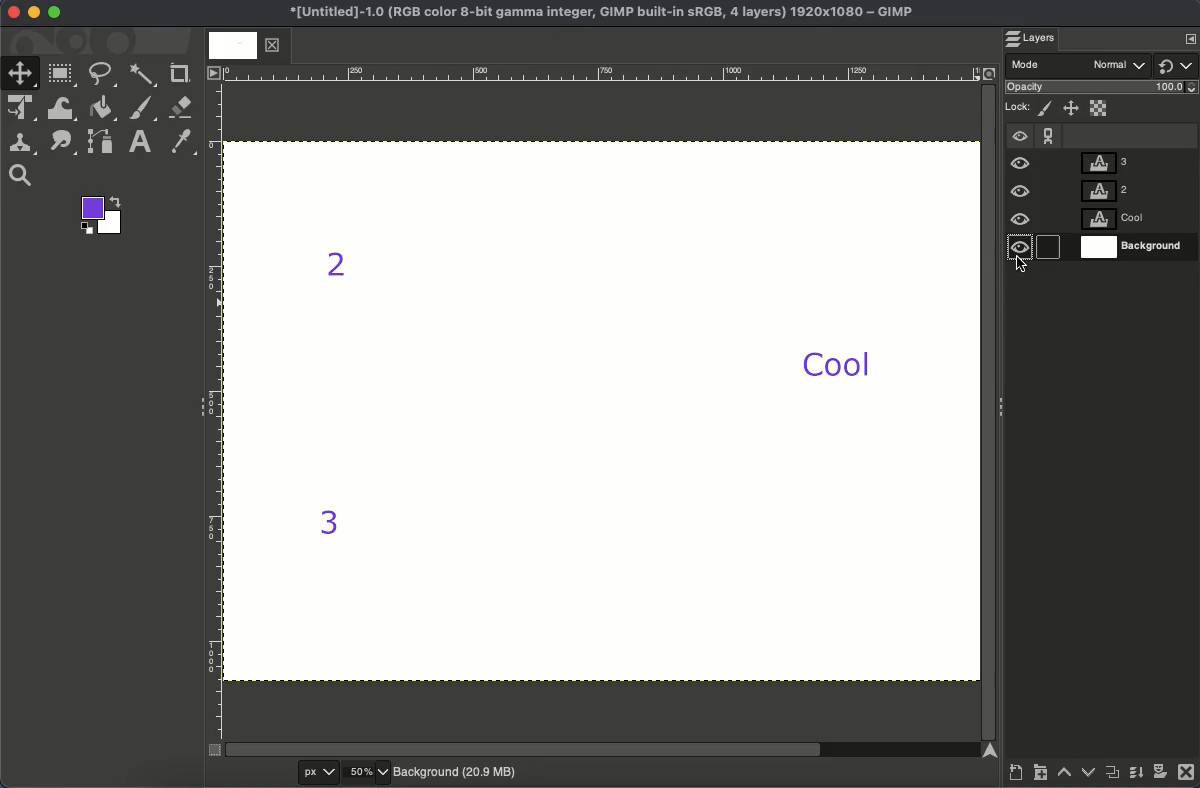  I want to click on Smudge, so click(61, 143).